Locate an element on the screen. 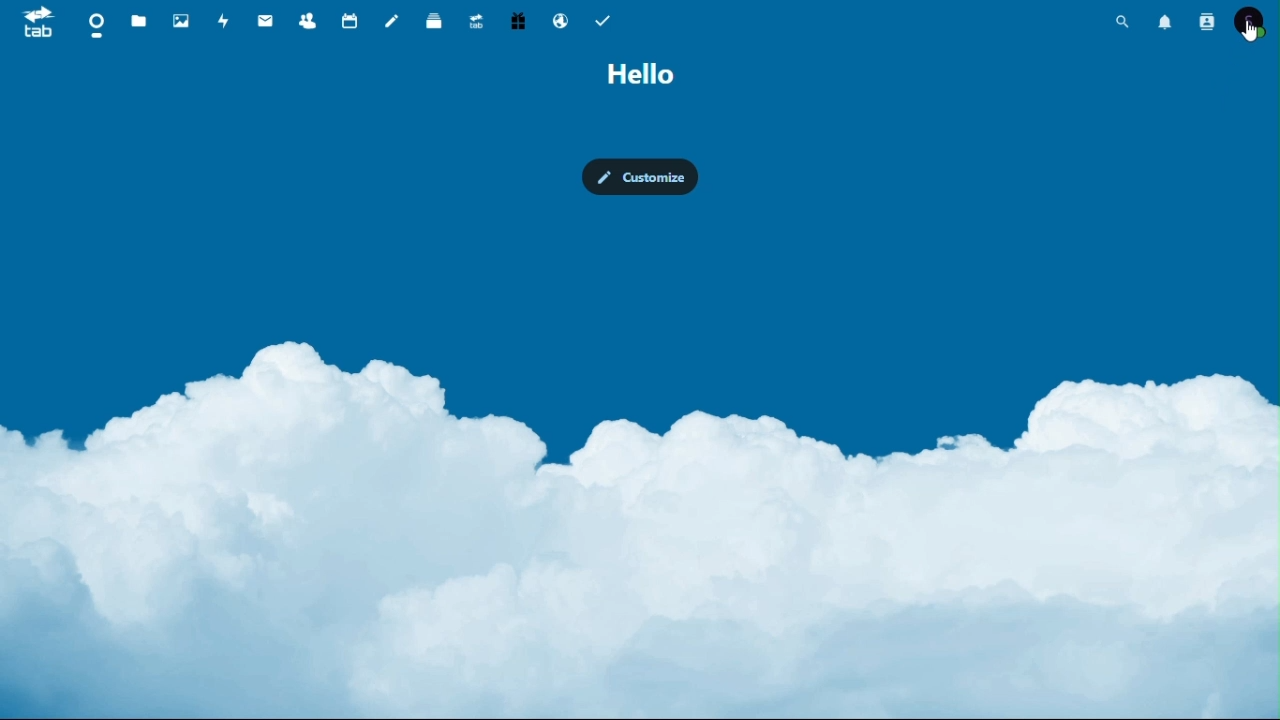 Image resolution: width=1280 pixels, height=720 pixels. Account icon is located at coordinates (1251, 24).